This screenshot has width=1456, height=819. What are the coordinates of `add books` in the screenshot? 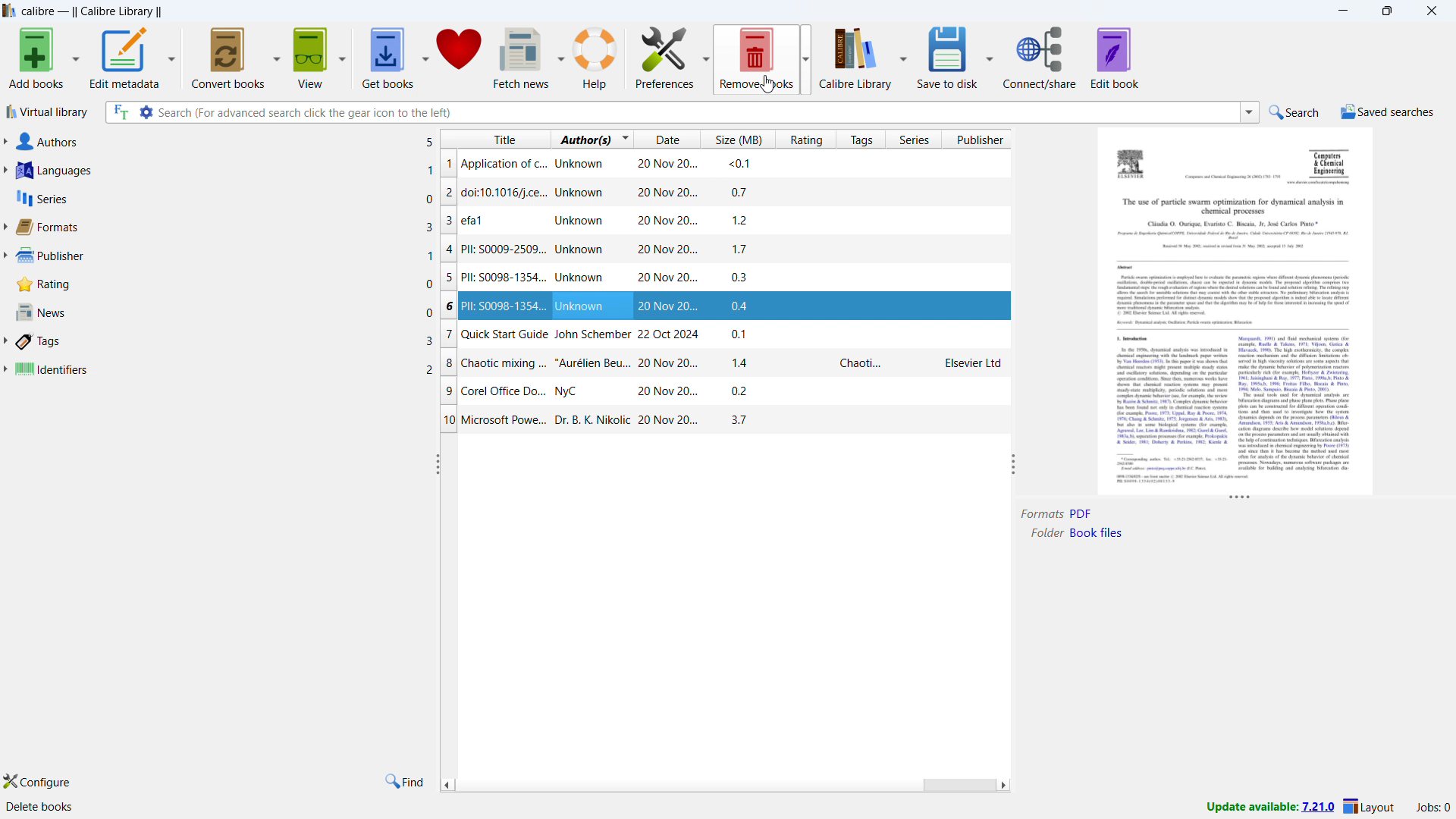 It's located at (36, 56).